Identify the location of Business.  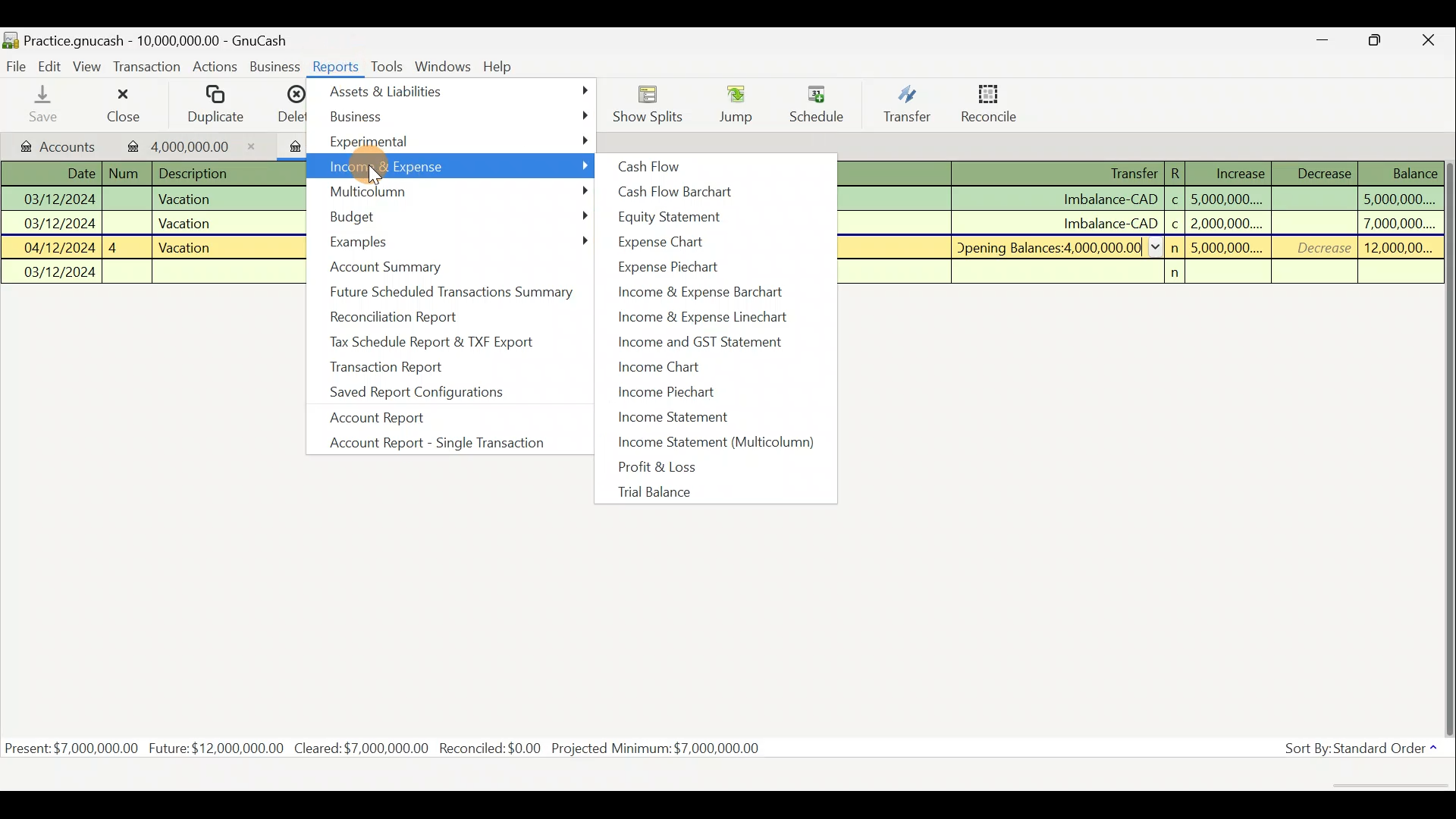
(275, 65).